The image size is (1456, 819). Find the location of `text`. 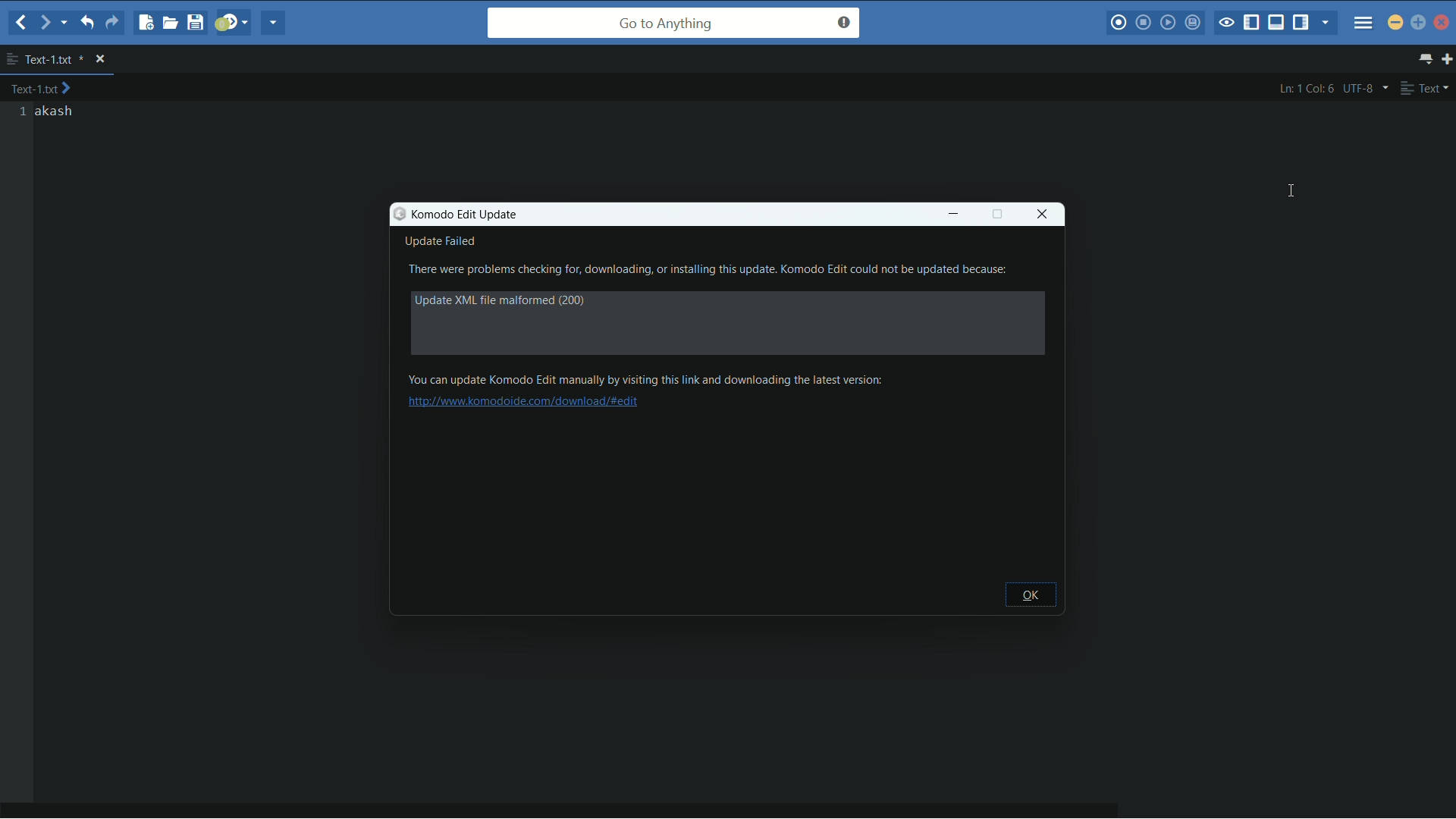

text is located at coordinates (58, 89).